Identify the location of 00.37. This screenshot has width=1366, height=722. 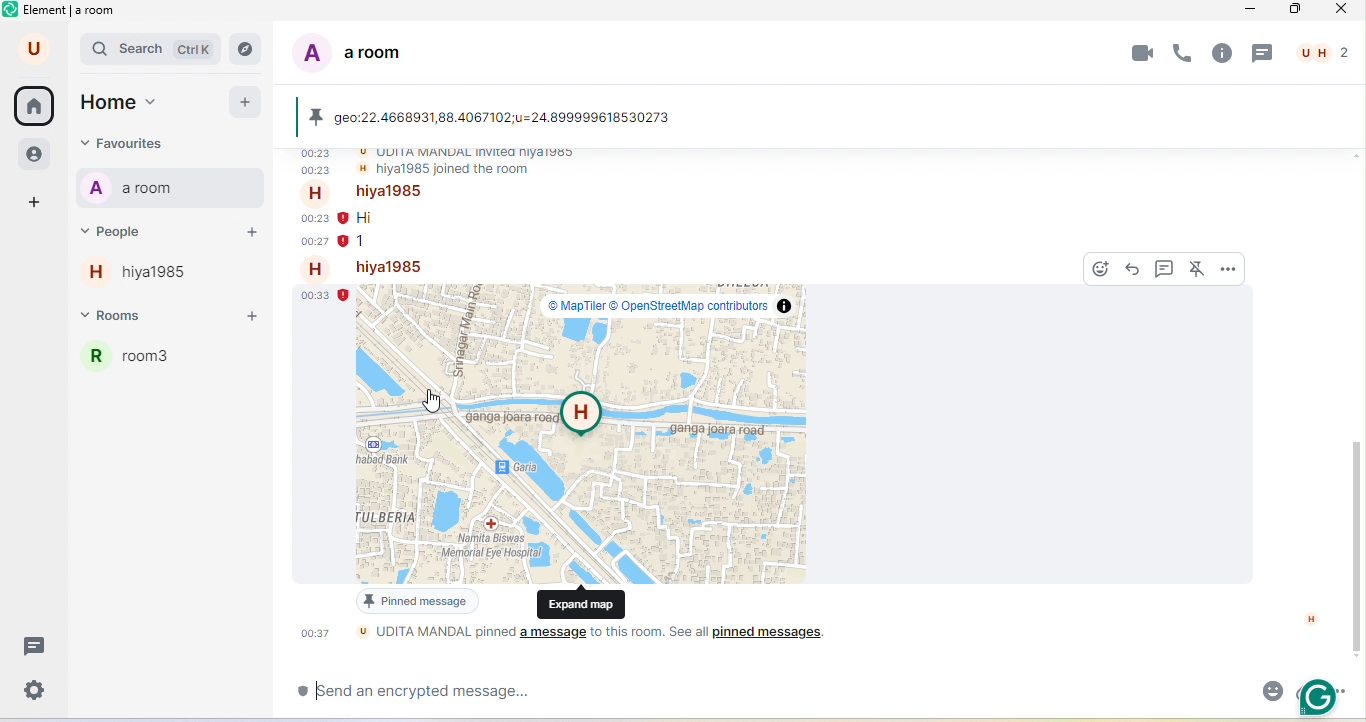
(320, 633).